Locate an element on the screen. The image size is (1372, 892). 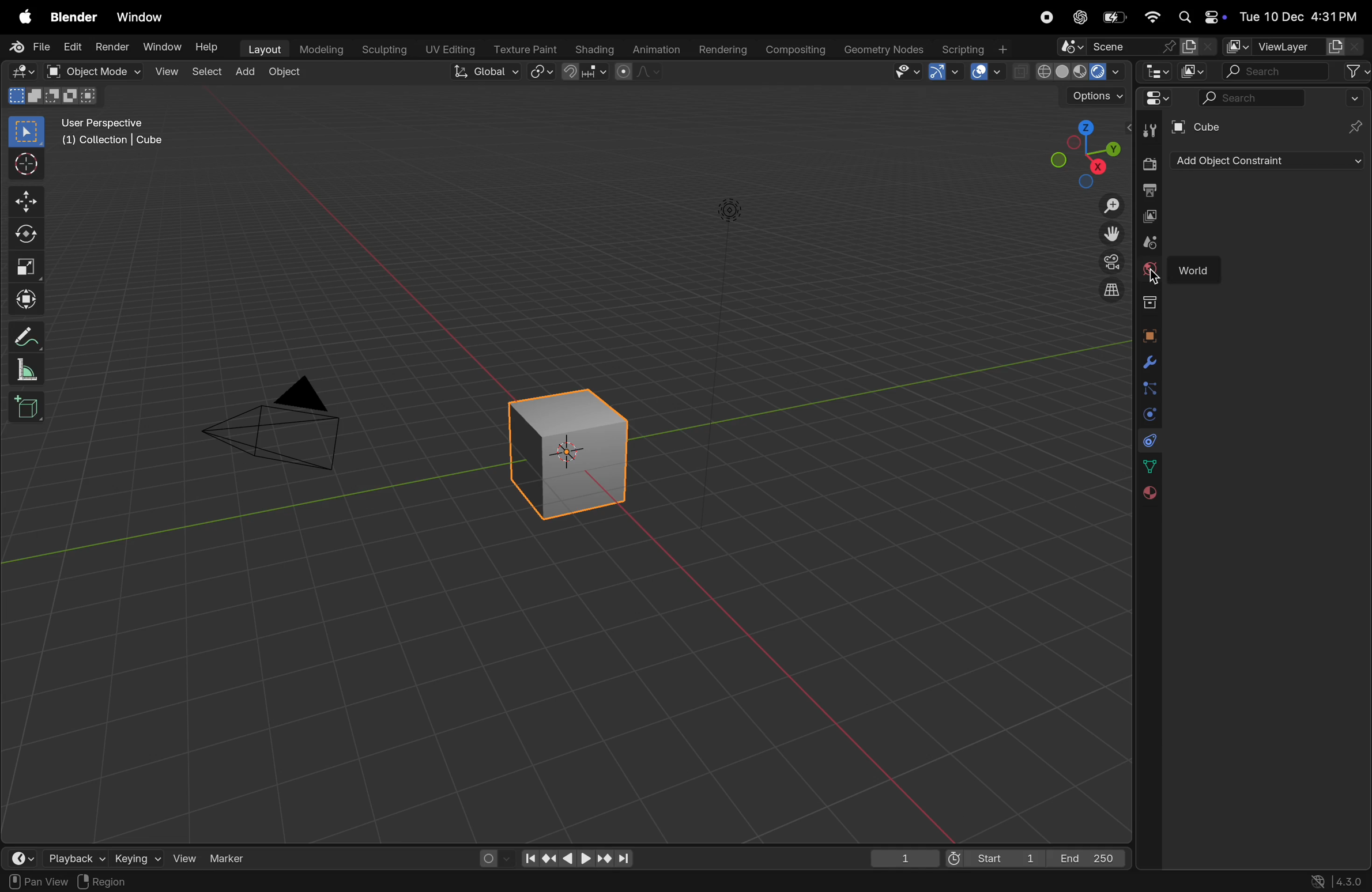
Help is located at coordinates (206, 44).